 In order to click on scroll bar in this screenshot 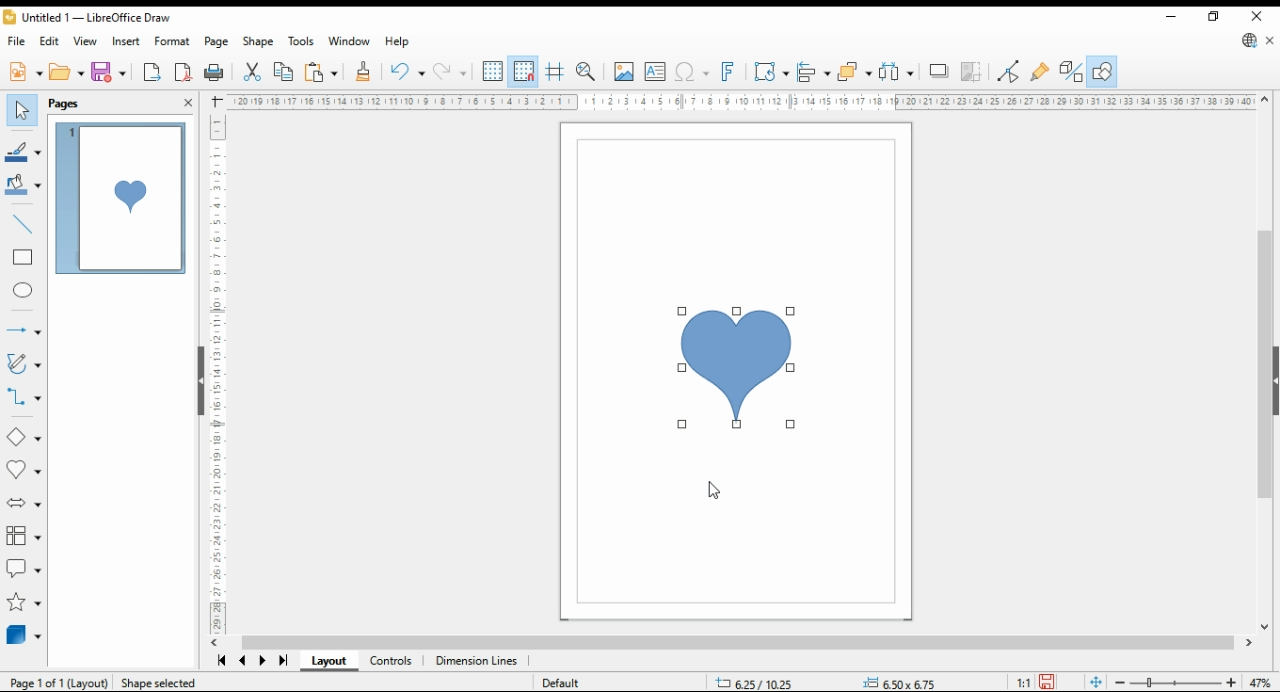, I will do `click(1266, 360)`.